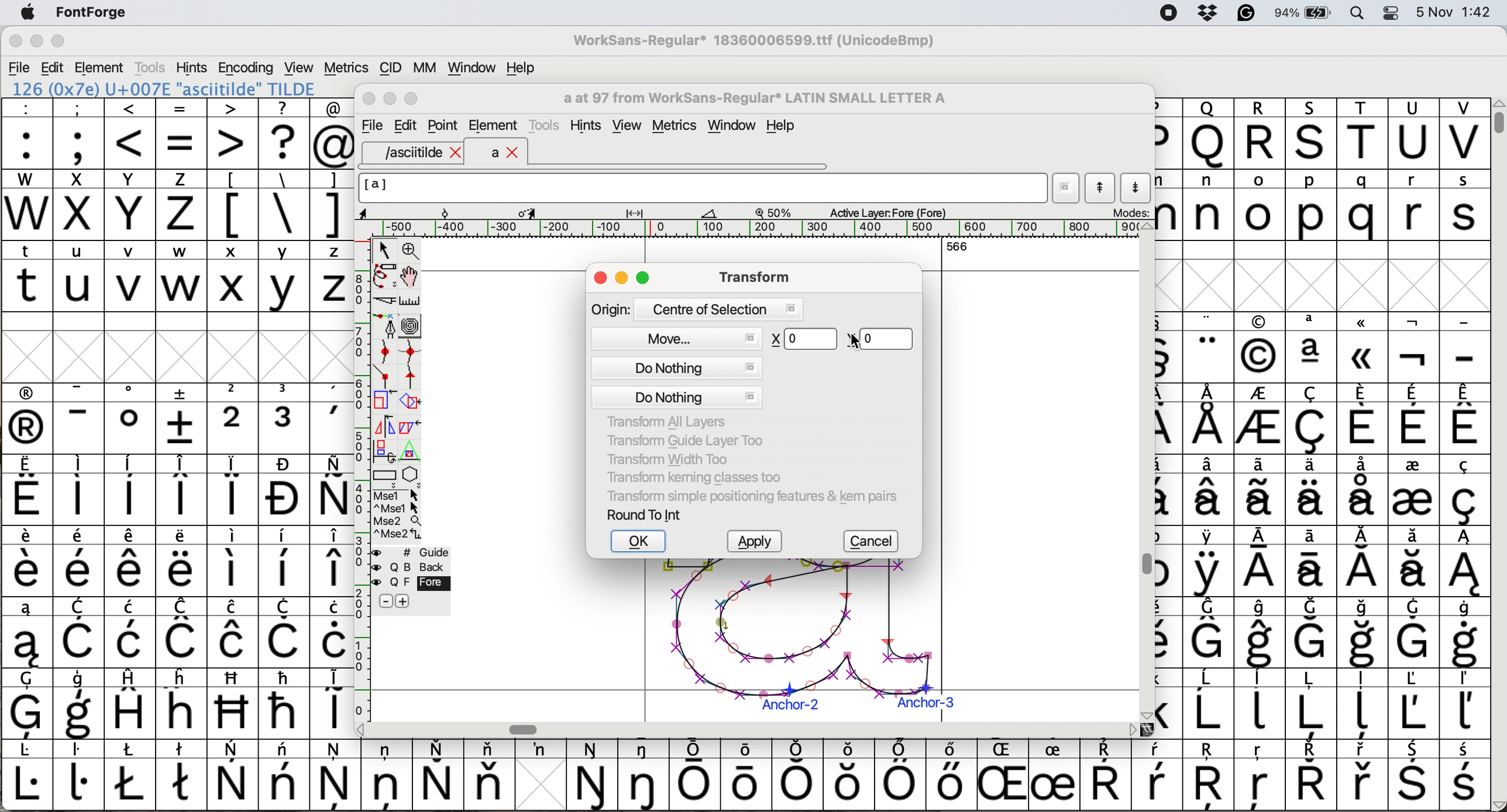 This screenshot has height=812, width=1507. What do you see at coordinates (749, 773) in the screenshot?
I see `symbol` at bounding box center [749, 773].